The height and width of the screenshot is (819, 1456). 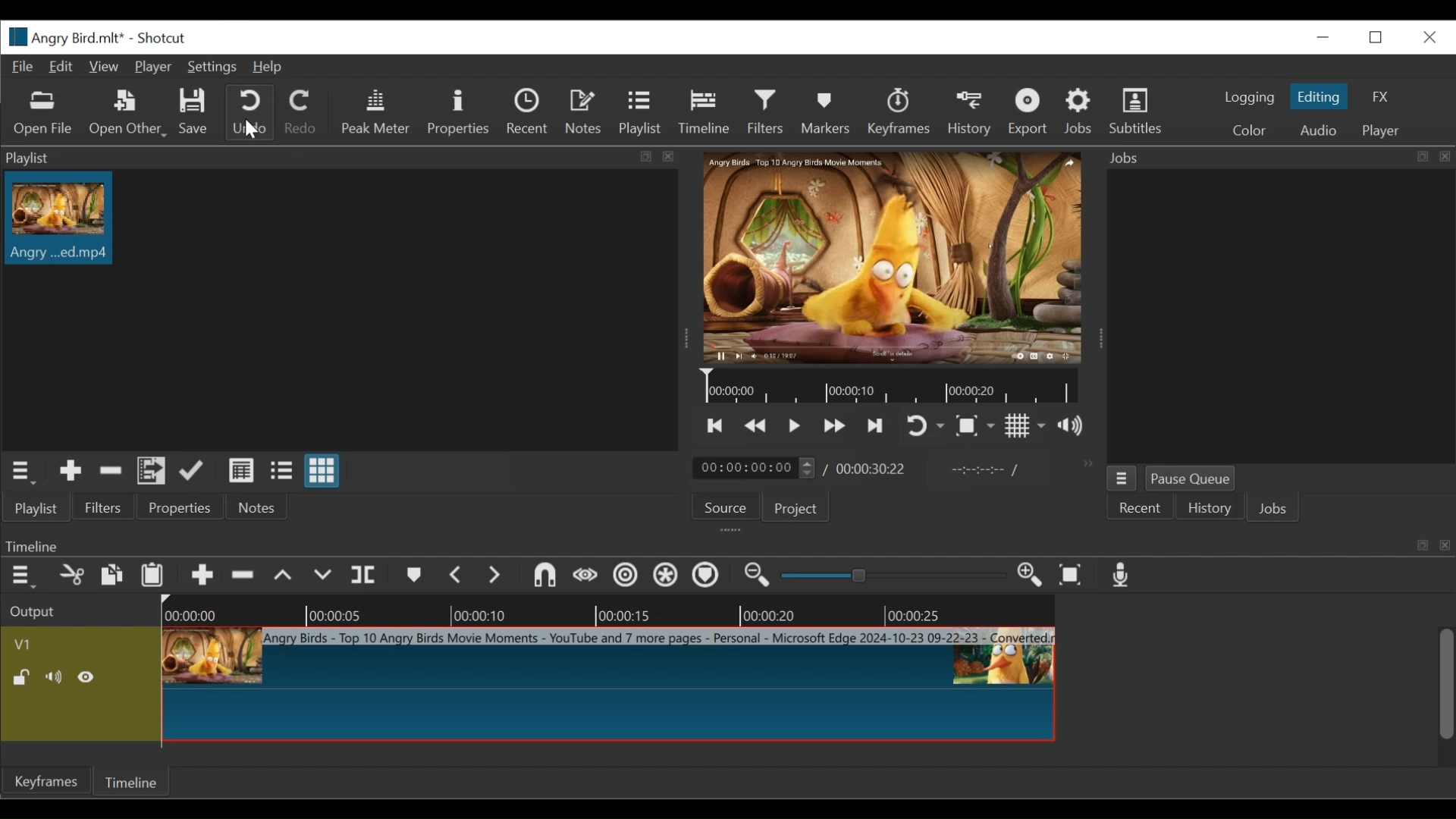 What do you see at coordinates (111, 576) in the screenshot?
I see `Copy` at bounding box center [111, 576].